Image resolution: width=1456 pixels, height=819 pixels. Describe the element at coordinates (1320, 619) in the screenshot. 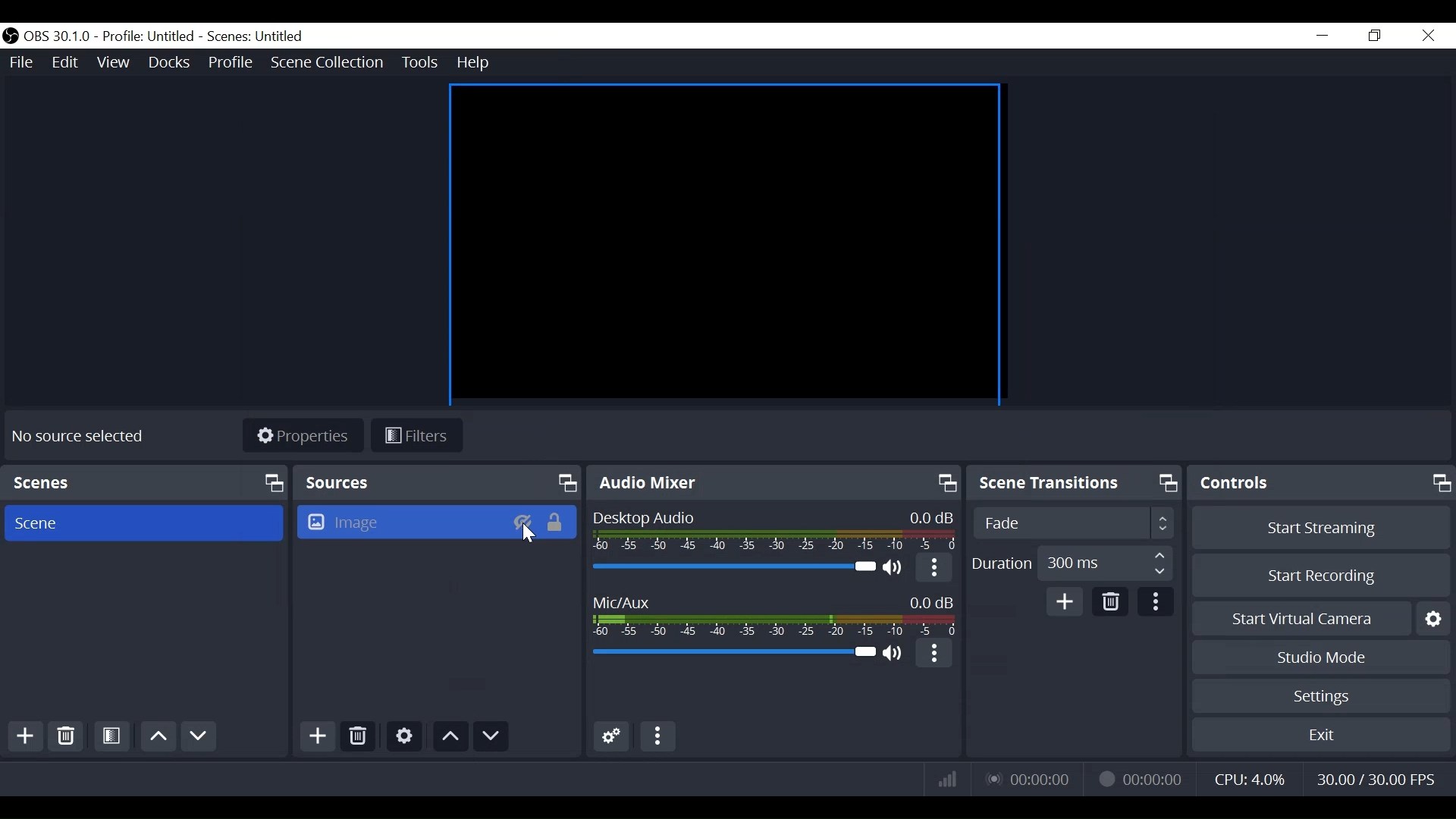

I see `Start Virtual Camera` at that location.